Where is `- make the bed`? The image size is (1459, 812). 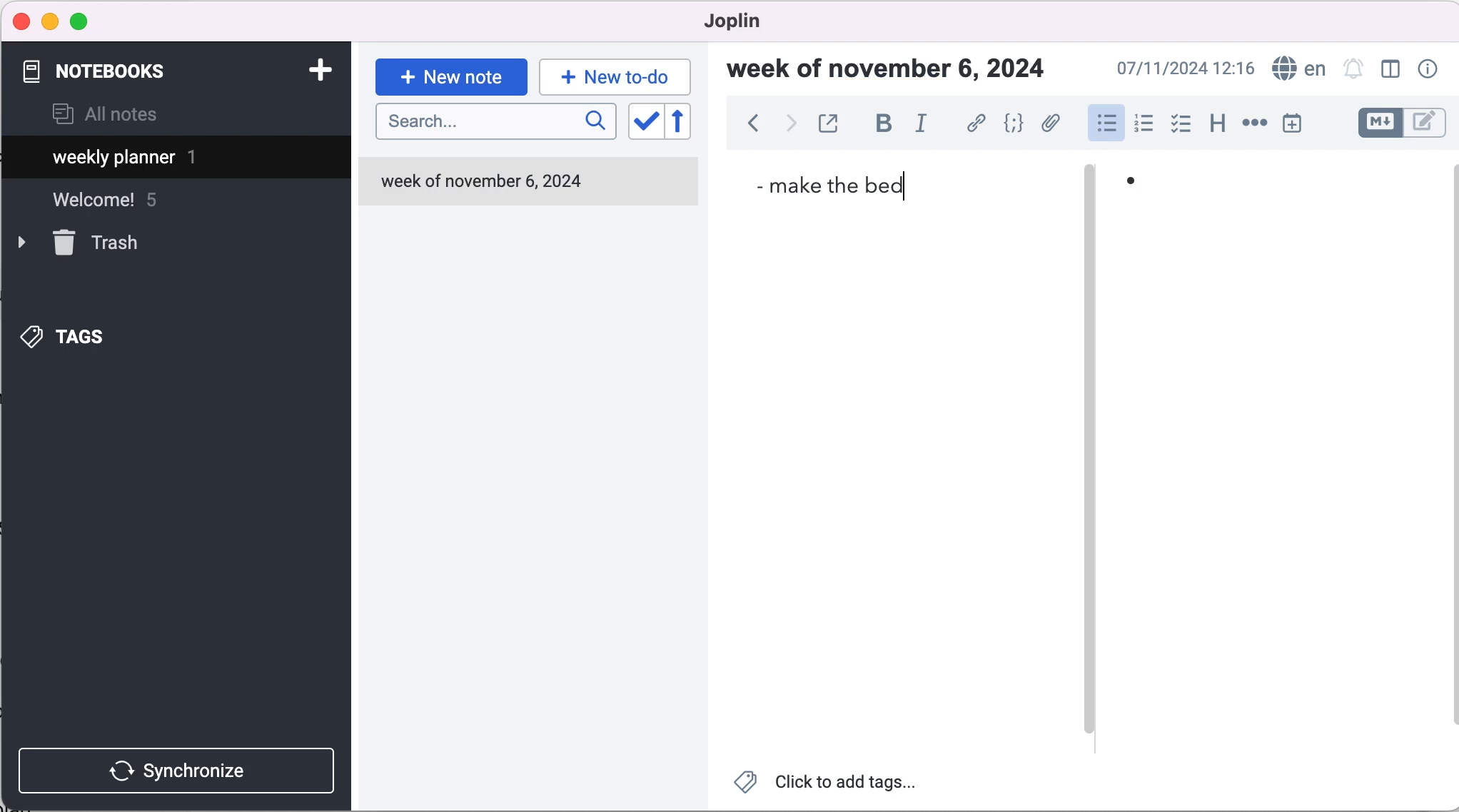
- make the bed is located at coordinates (834, 187).